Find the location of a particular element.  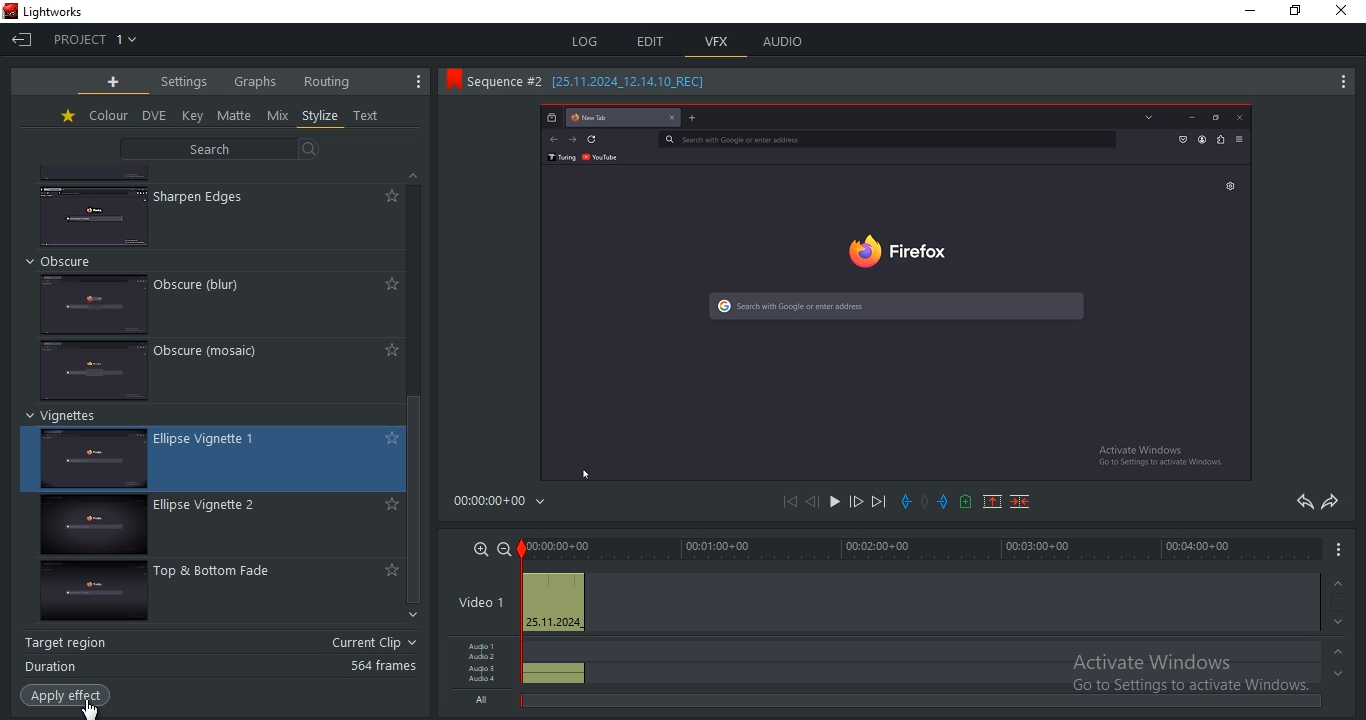

audio is located at coordinates (782, 40).